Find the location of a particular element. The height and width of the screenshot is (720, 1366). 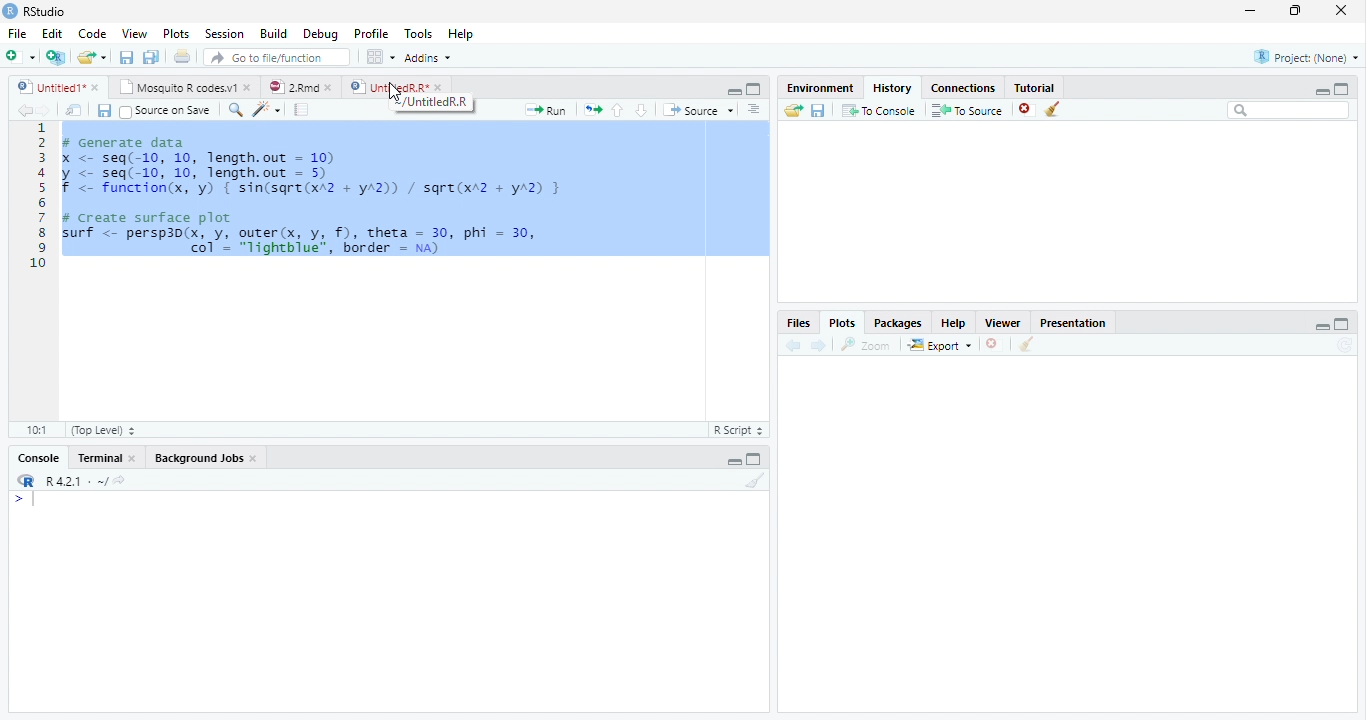

Environment is located at coordinates (820, 88).